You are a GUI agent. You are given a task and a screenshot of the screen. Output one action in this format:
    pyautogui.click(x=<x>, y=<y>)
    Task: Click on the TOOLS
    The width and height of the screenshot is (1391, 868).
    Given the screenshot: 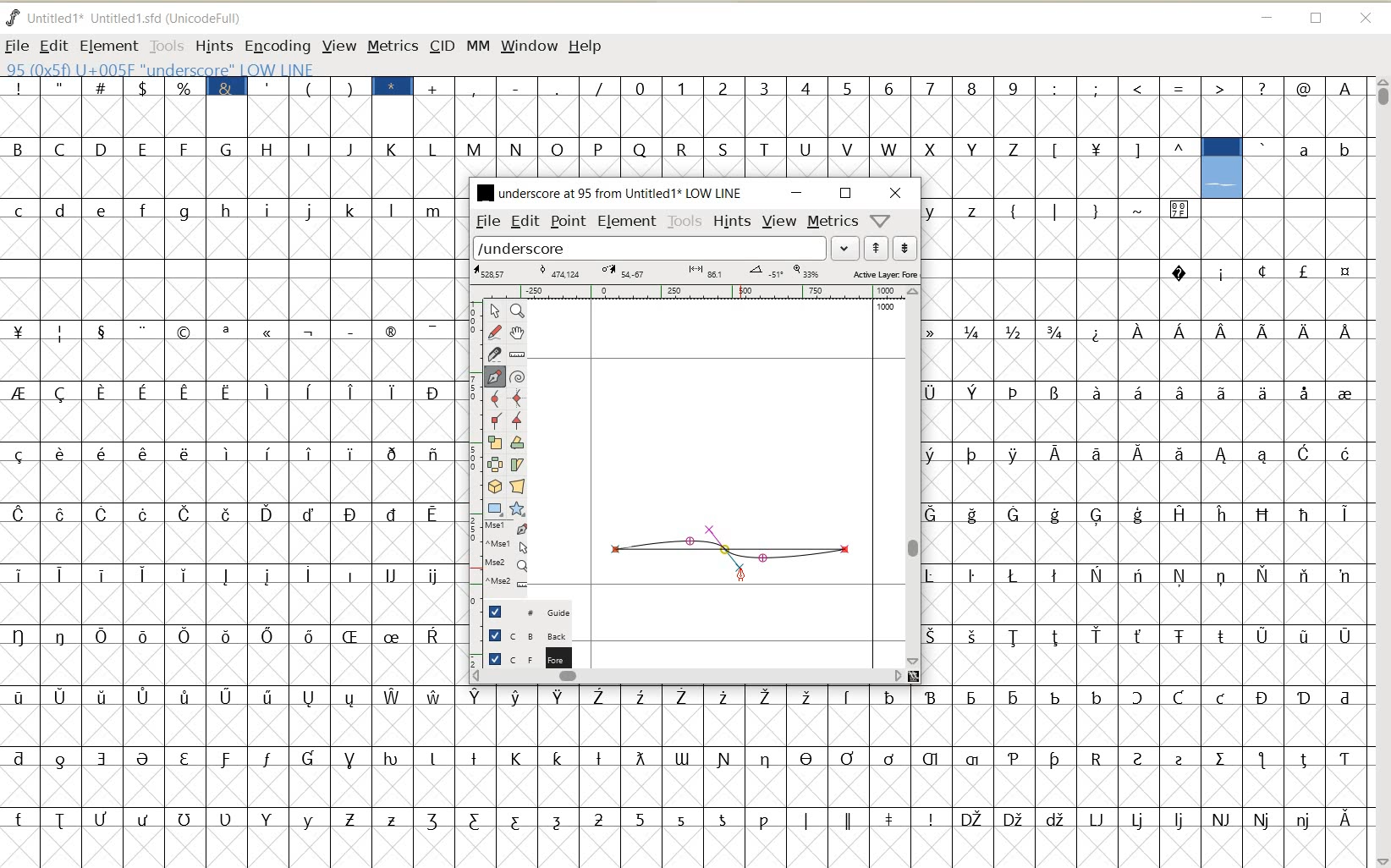 What is the action you would take?
    pyautogui.click(x=165, y=45)
    